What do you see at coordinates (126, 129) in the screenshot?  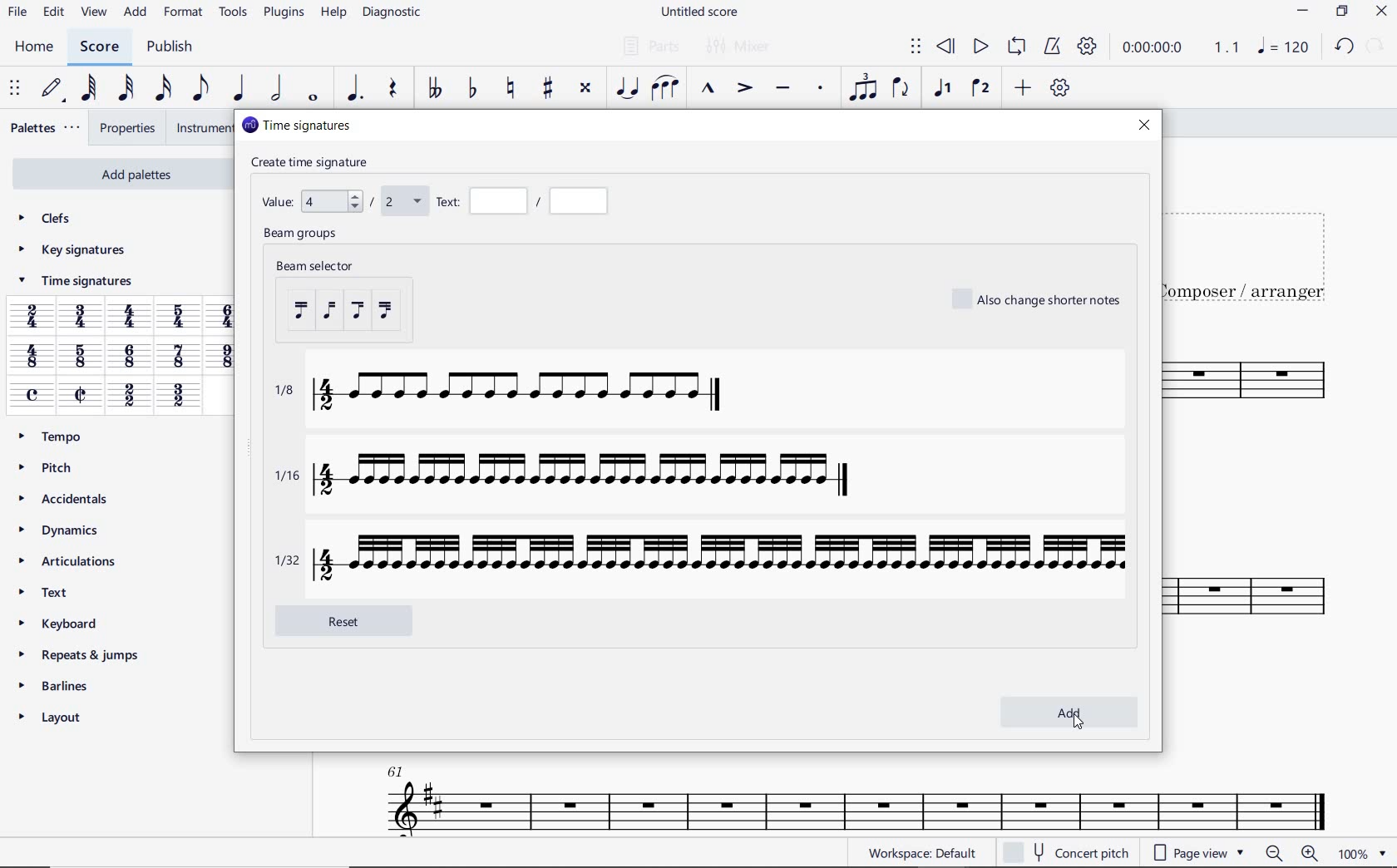 I see `PROPERTIES` at bounding box center [126, 129].